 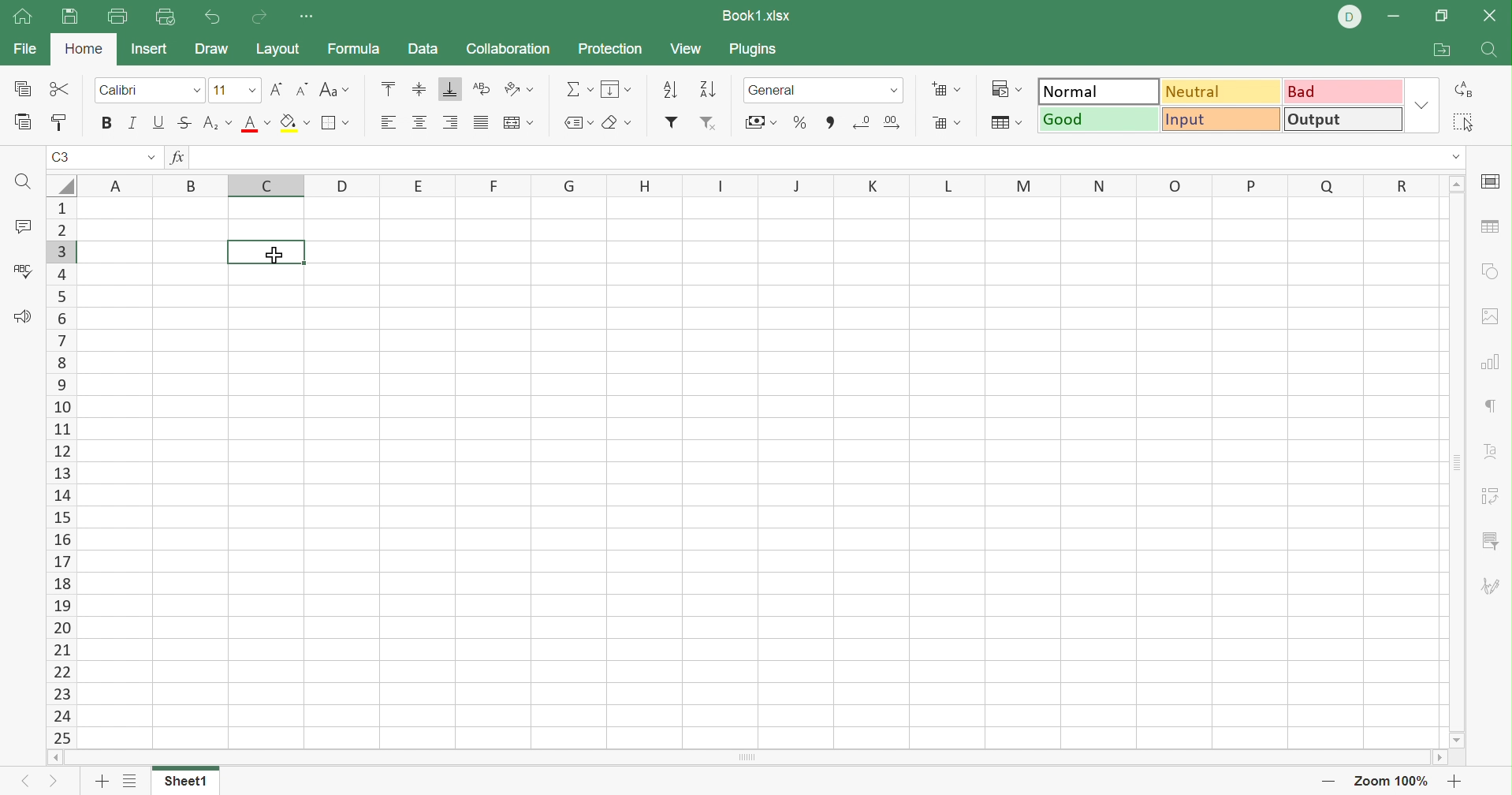 What do you see at coordinates (425, 48) in the screenshot?
I see `Data` at bounding box center [425, 48].